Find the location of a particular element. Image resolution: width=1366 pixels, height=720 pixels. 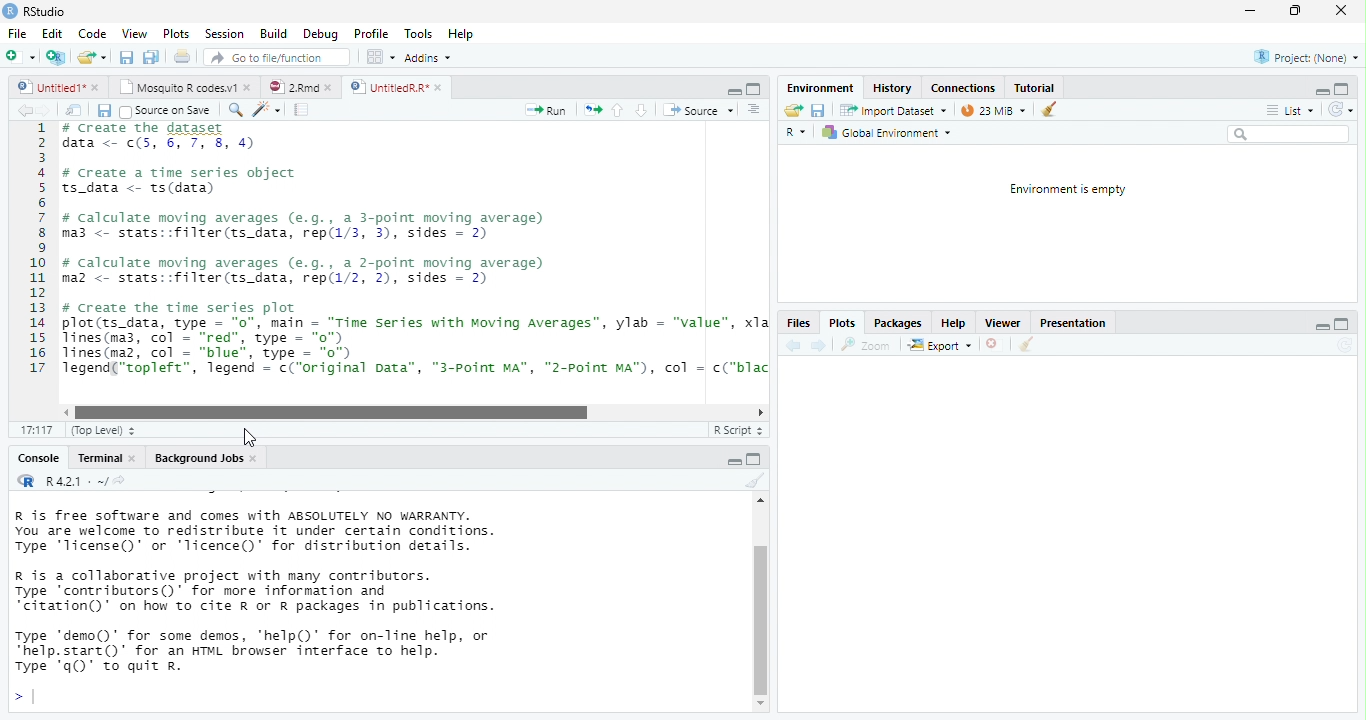

File is located at coordinates (16, 34).